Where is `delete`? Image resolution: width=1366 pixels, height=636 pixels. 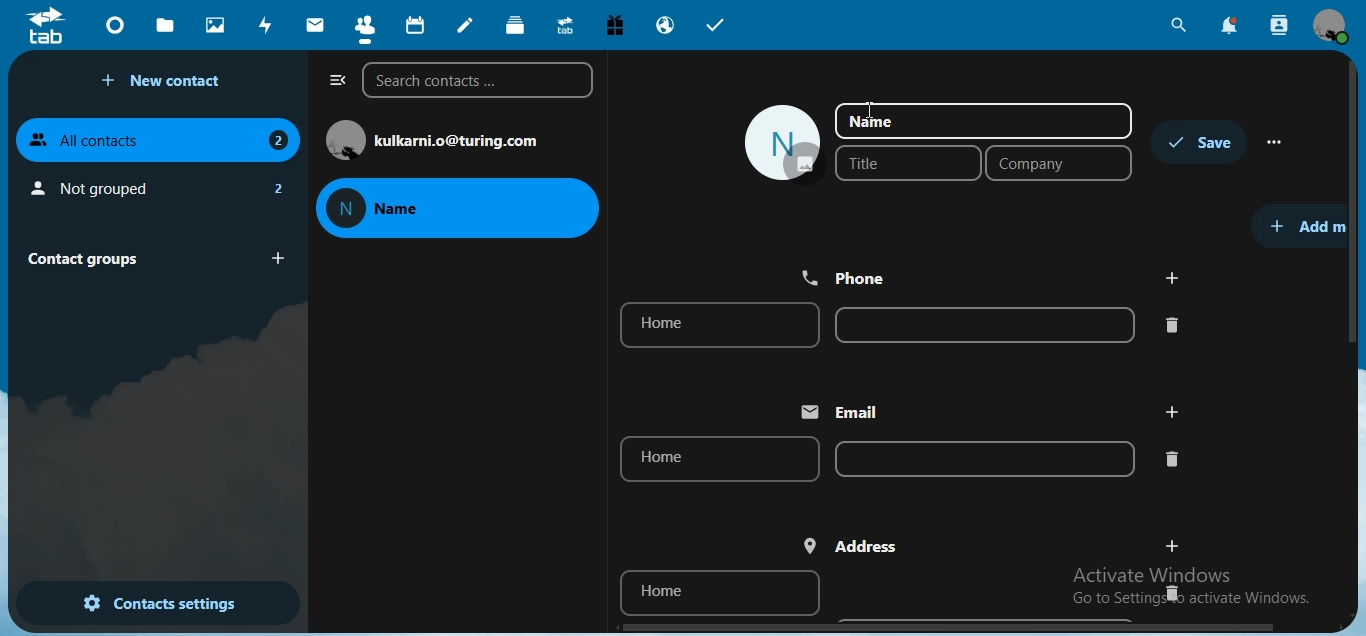
delete is located at coordinates (1172, 459).